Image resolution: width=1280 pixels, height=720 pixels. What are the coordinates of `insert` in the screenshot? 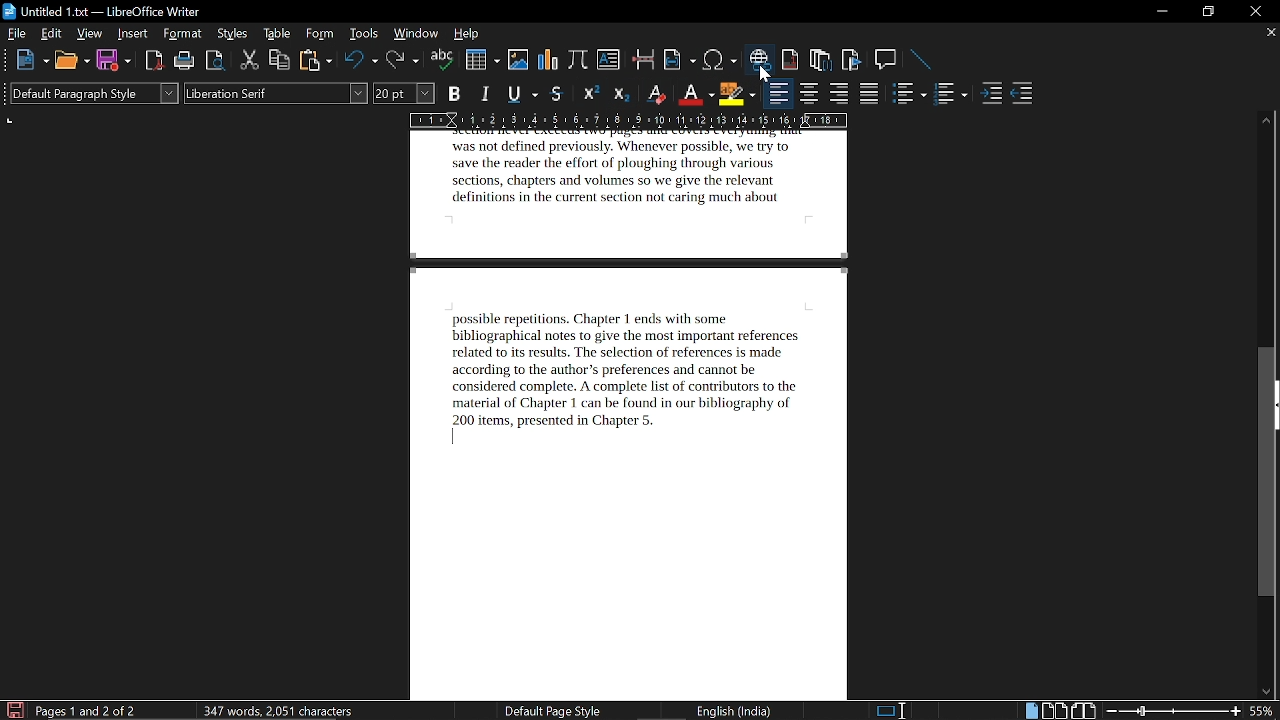 It's located at (133, 34).